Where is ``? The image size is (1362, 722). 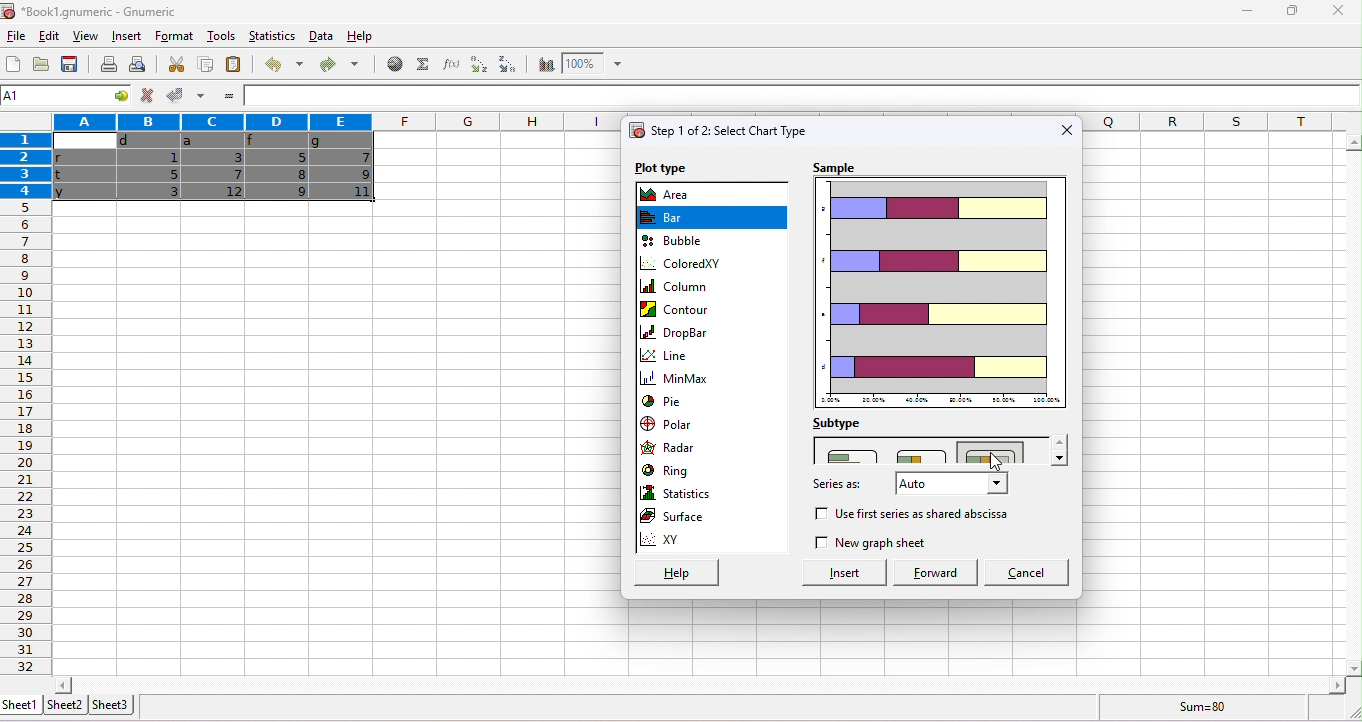  is located at coordinates (684, 495).